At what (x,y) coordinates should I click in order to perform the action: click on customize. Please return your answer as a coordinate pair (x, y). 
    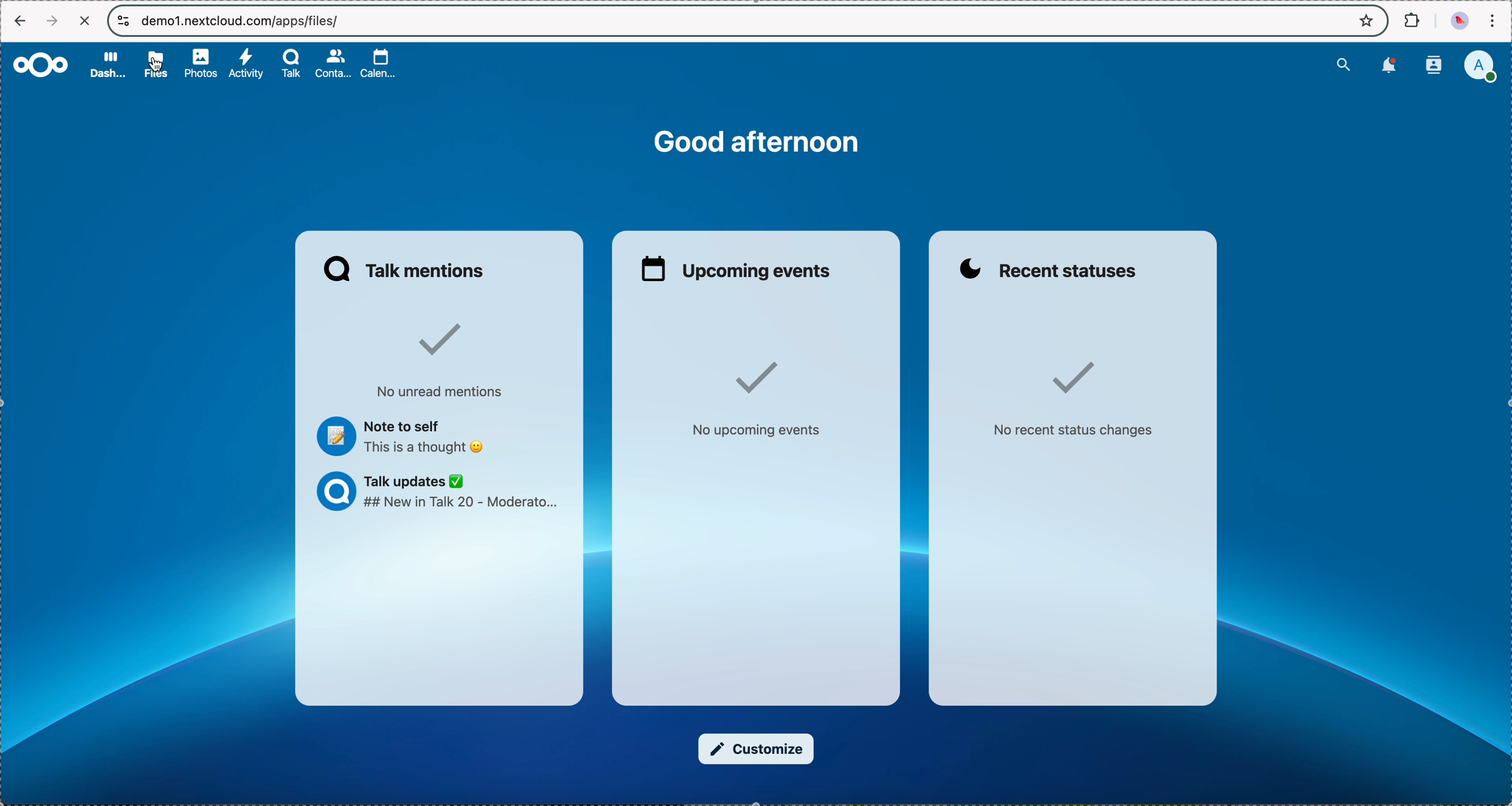
    Looking at the image, I should click on (758, 749).